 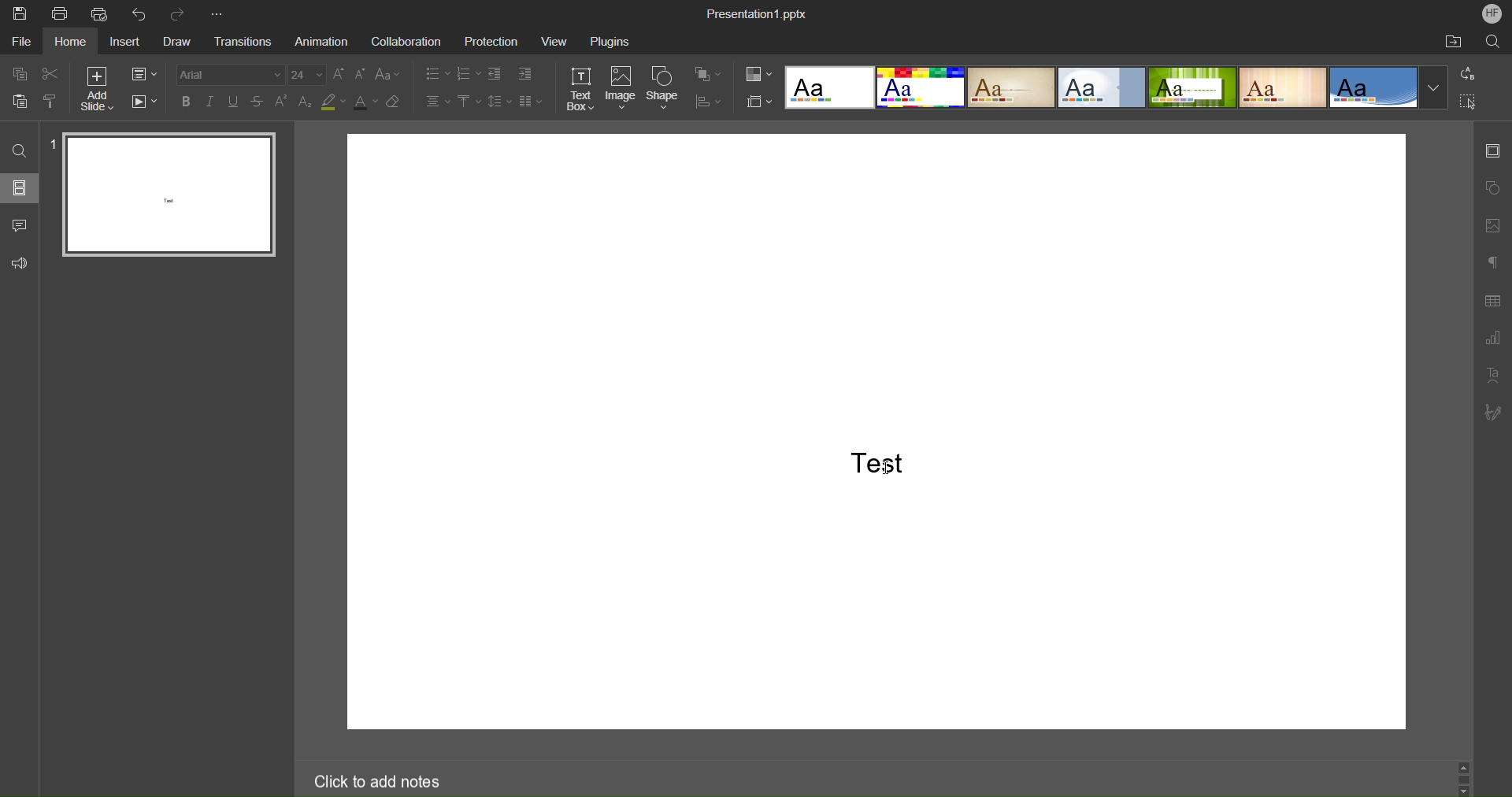 I want to click on Decrease indent, so click(x=495, y=74).